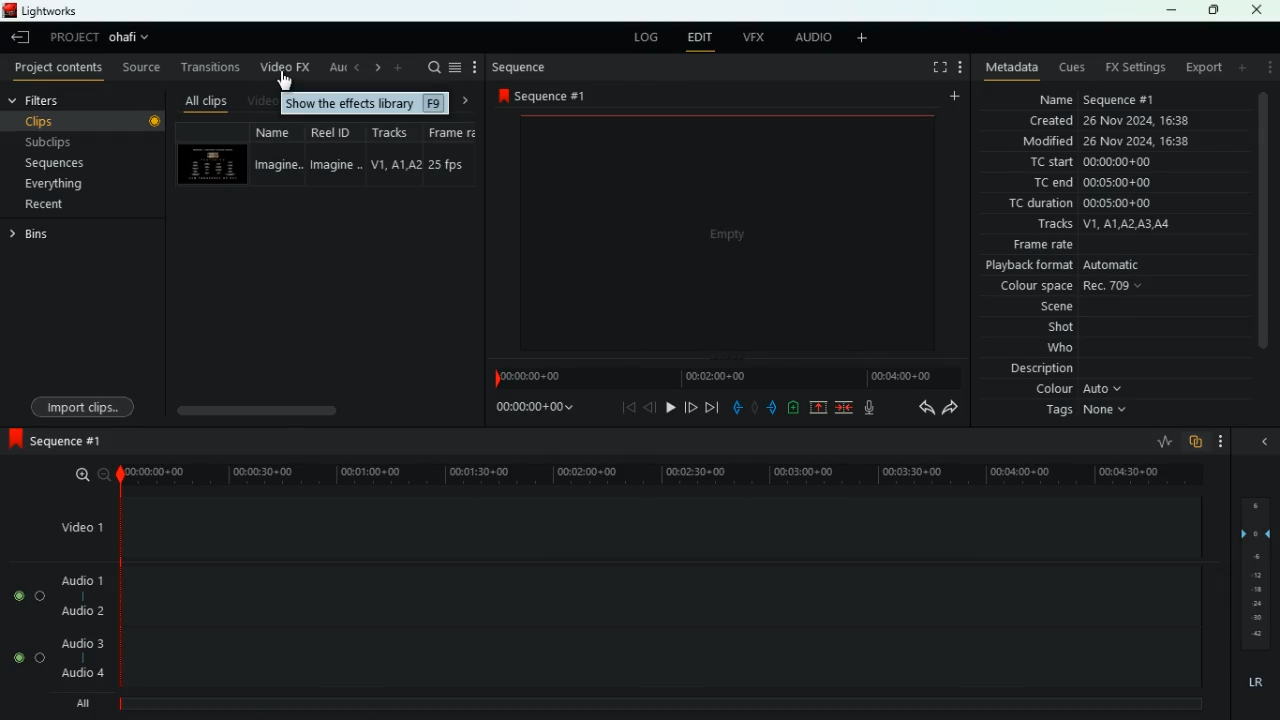 This screenshot has height=720, width=1280. I want to click on zoom, so click(78, 475).